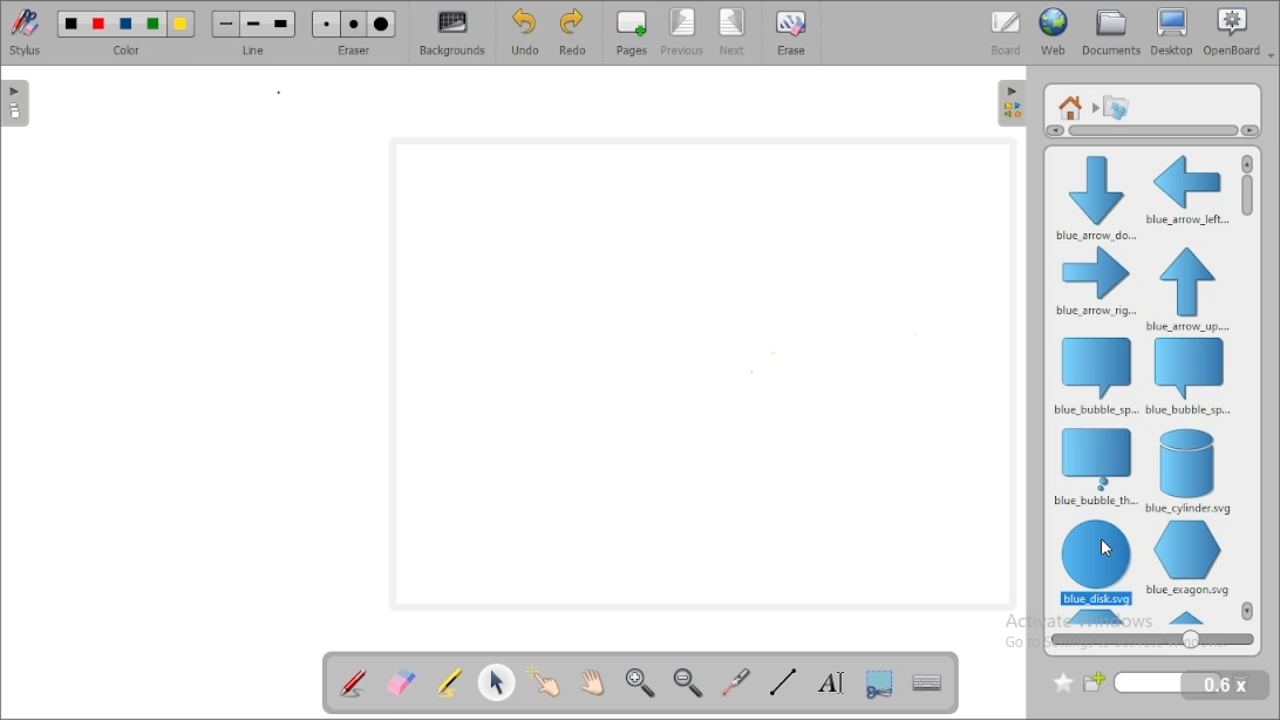 The image size is (1280, 720). I want to click on zoom in, so click(641, 683).